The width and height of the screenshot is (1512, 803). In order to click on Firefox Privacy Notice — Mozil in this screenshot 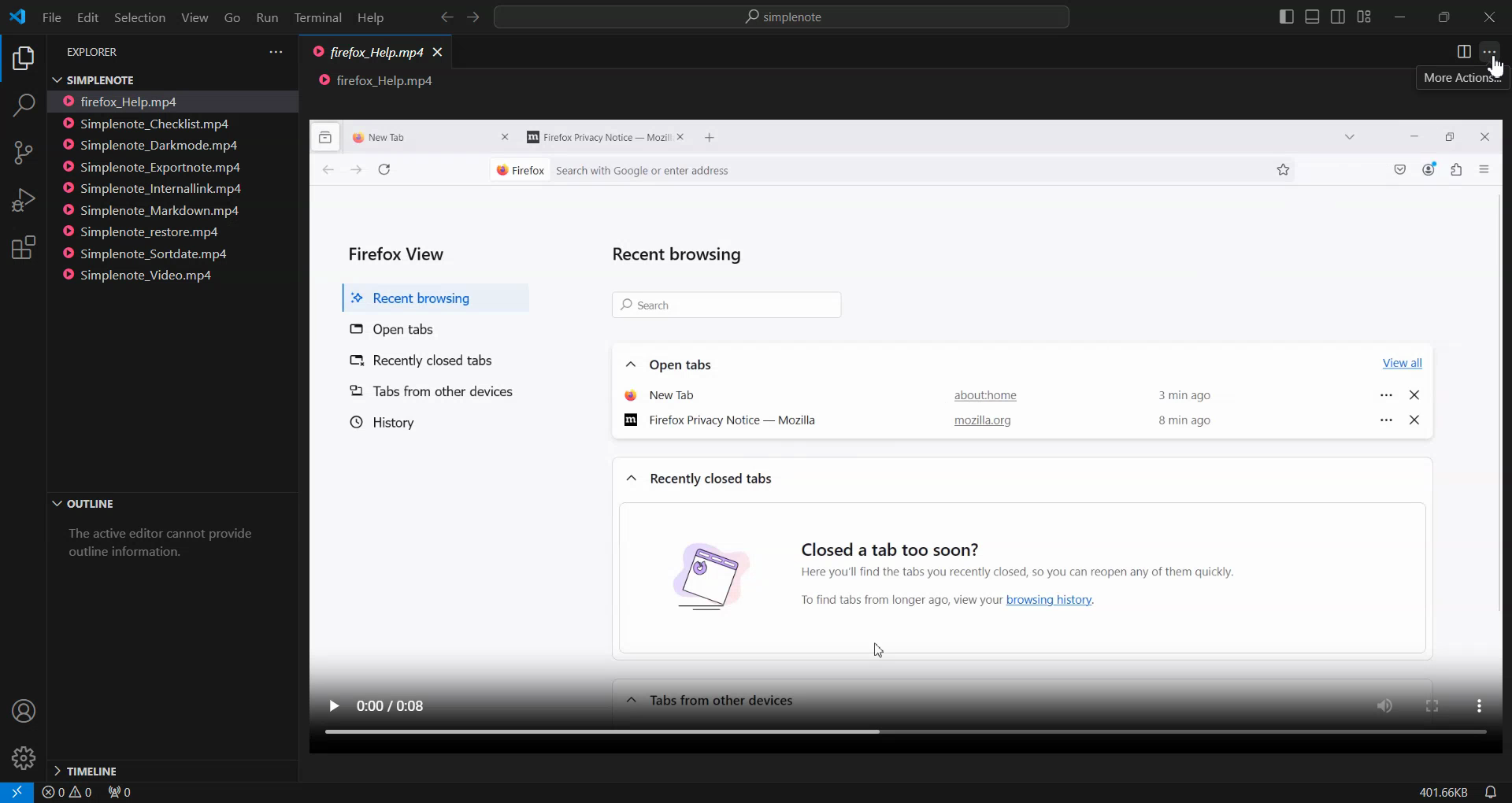, I will do `click(596, 138)`.